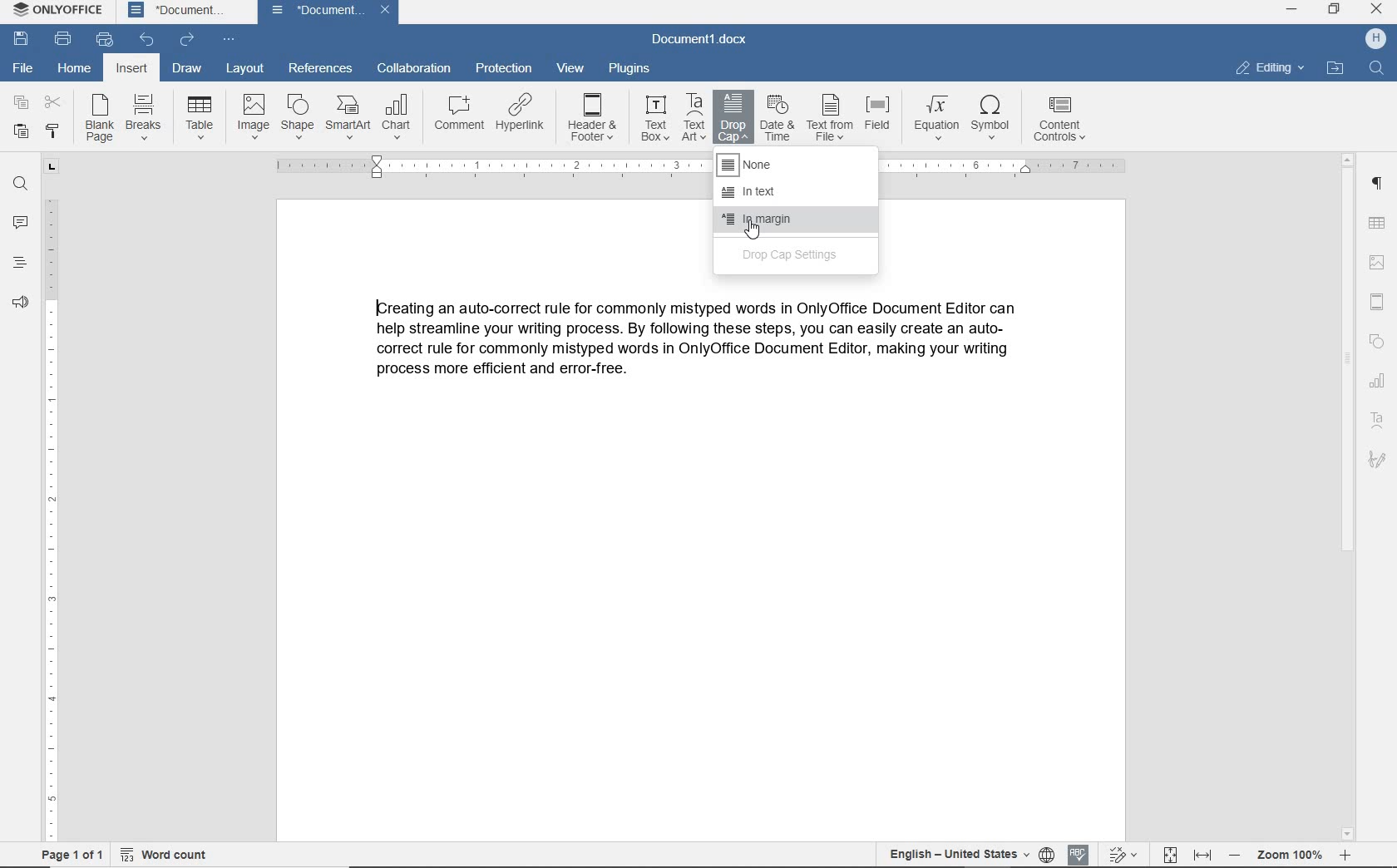 Image resolution: width=1397 pixels, height=868 pixels. Describe the element at coordinates (187, 70) in the screenshot. I see `draw` at that location.